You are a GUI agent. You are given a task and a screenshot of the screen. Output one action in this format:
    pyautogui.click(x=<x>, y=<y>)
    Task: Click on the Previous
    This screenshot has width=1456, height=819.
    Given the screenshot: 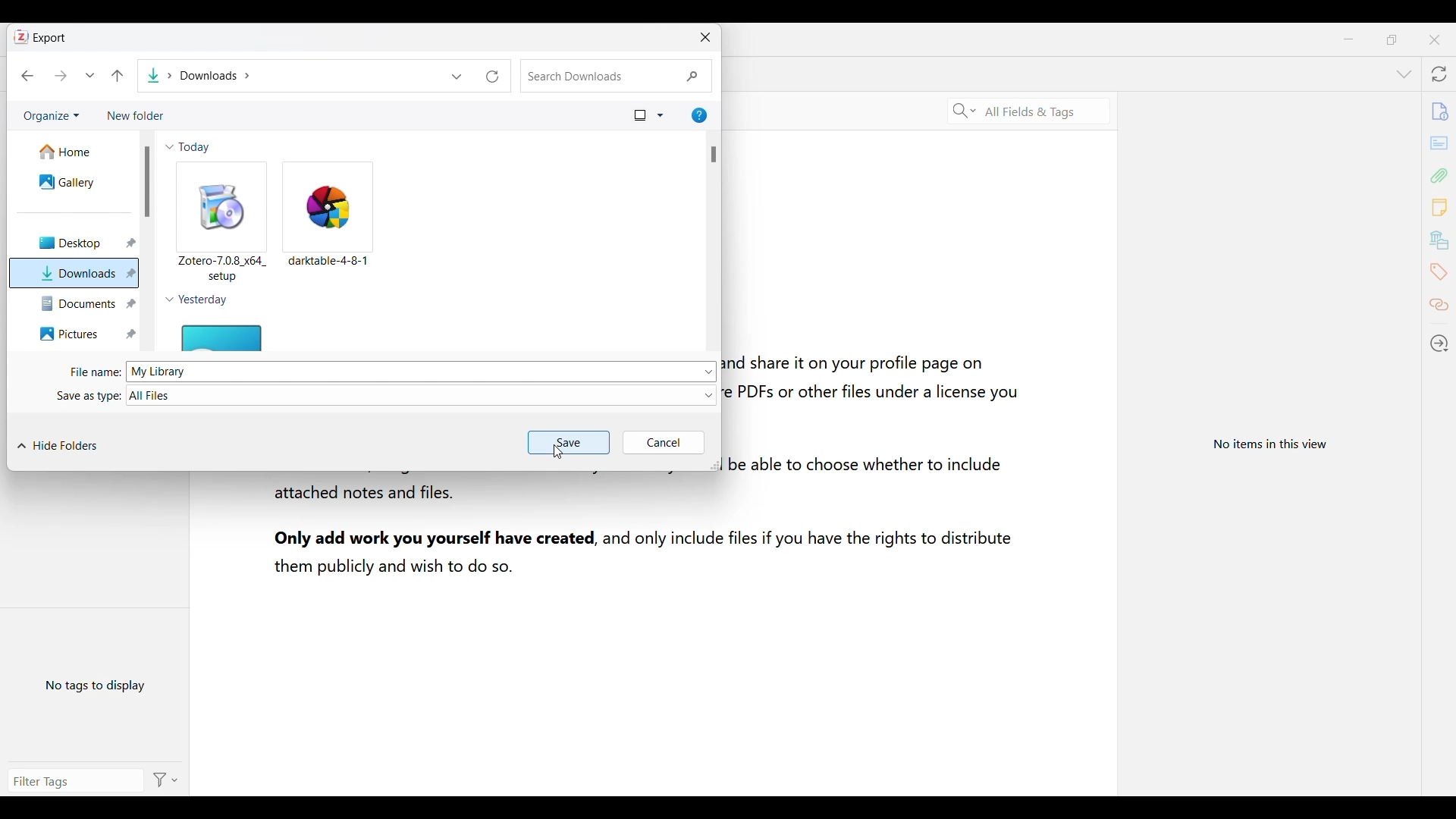 What is the action you would take?
    pyautogui.click(x=27, y=73)
    